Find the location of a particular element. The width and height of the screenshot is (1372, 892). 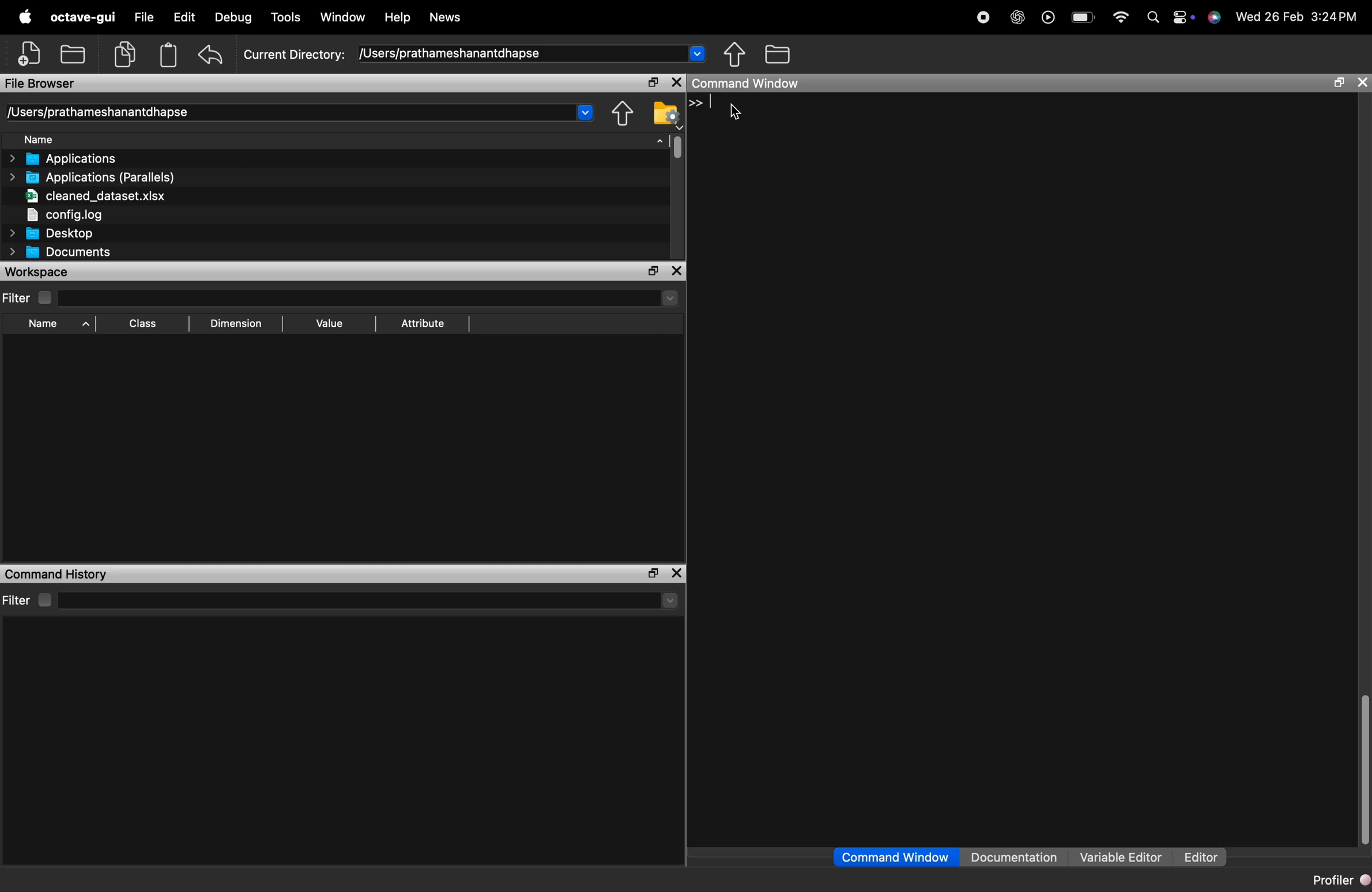

one directory up is located at coordinates (737, 55).